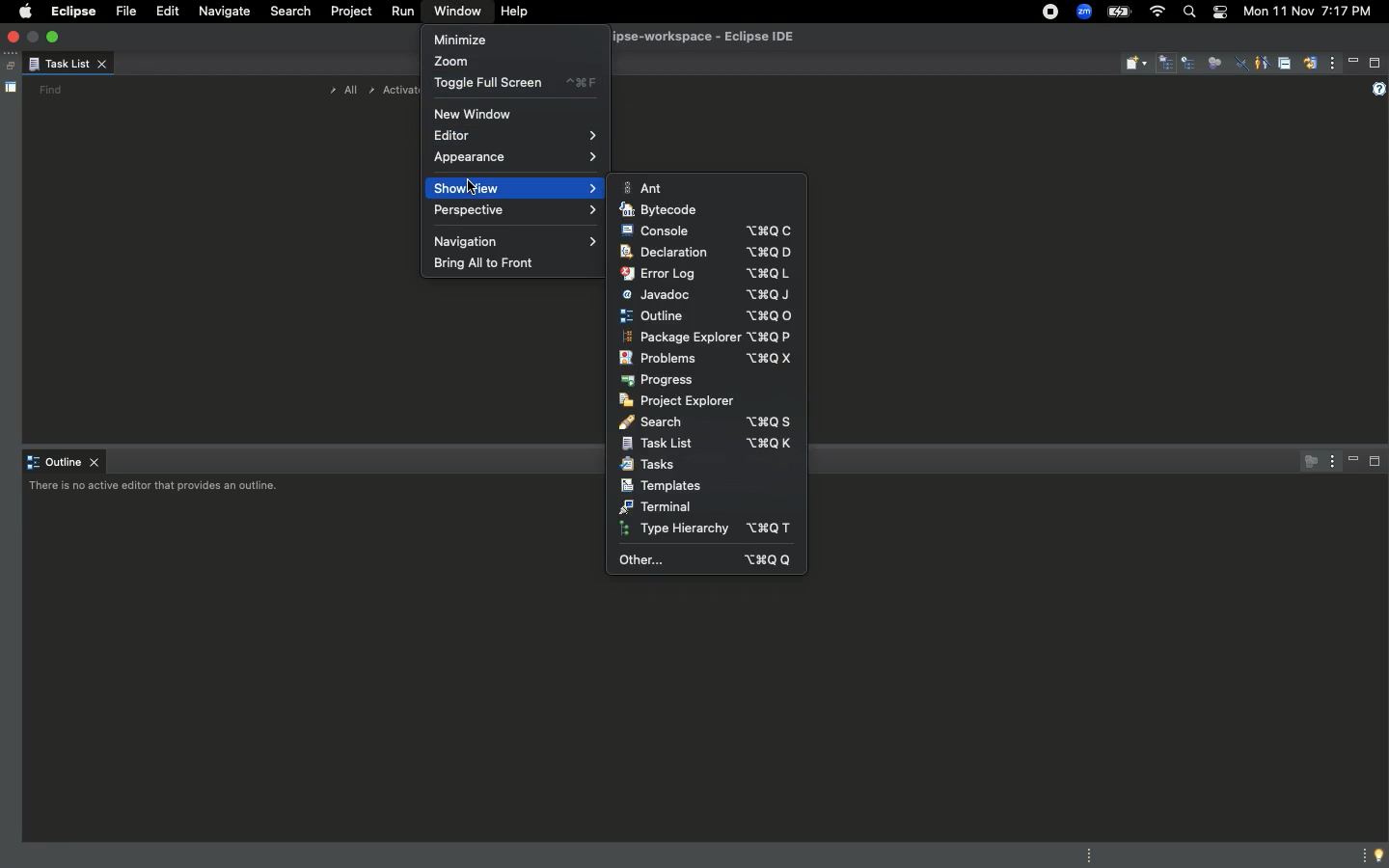 The image size is (1389, 868). I want to click on Eclipse - workspace - Eclipse IDE, so click(727, 38).